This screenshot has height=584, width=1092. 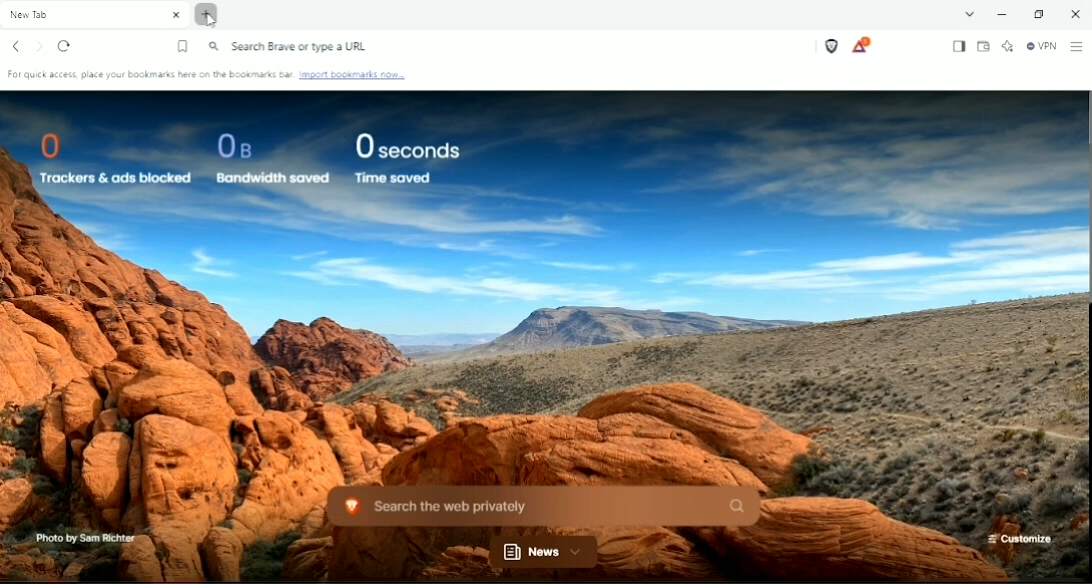 What do you see at coordinates (544, 506) in the screenshot?
I see `Search the web privately` at bounding box center [544, 506].